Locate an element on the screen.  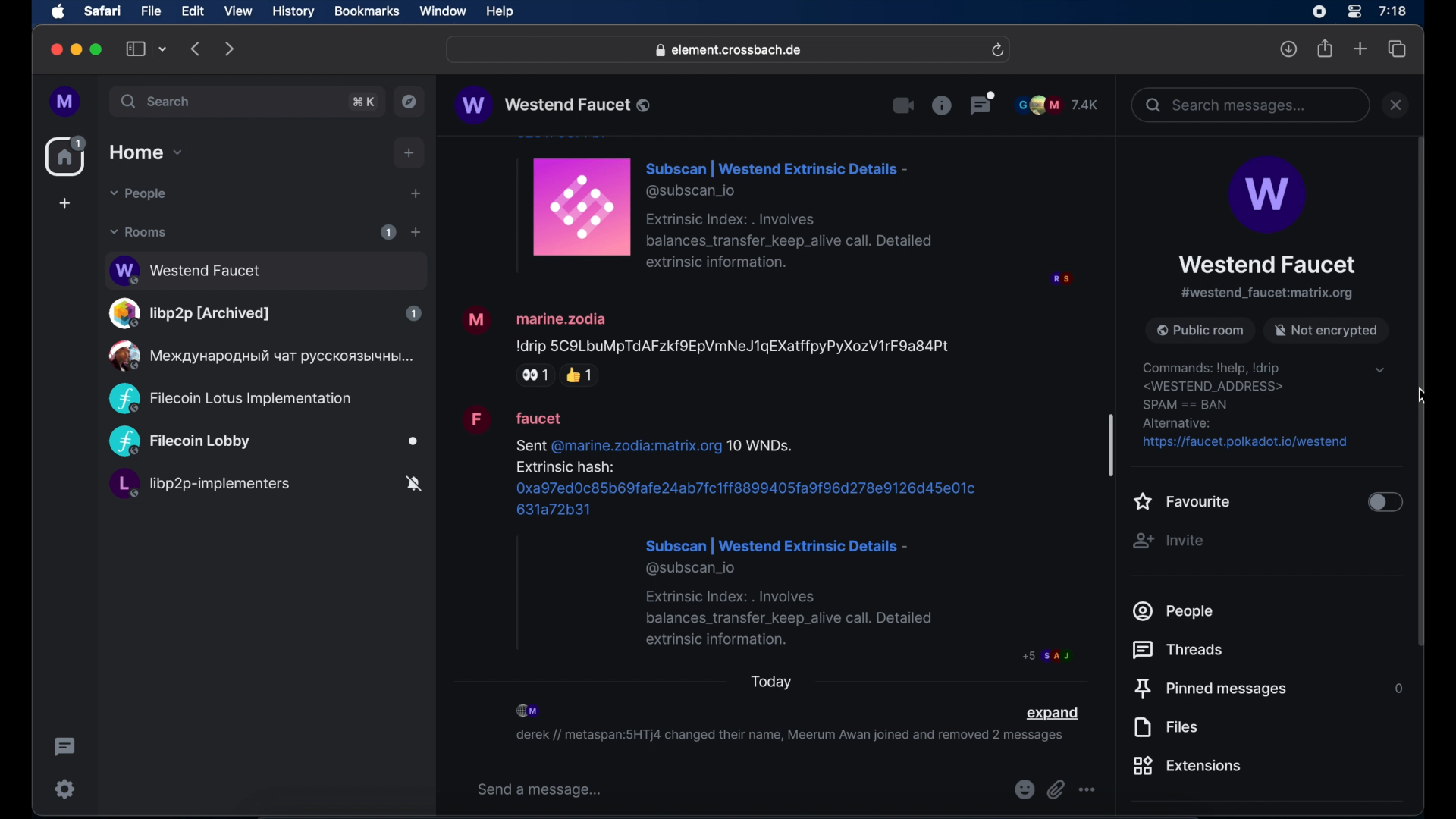
public room is located at coordinates (1199, 329).